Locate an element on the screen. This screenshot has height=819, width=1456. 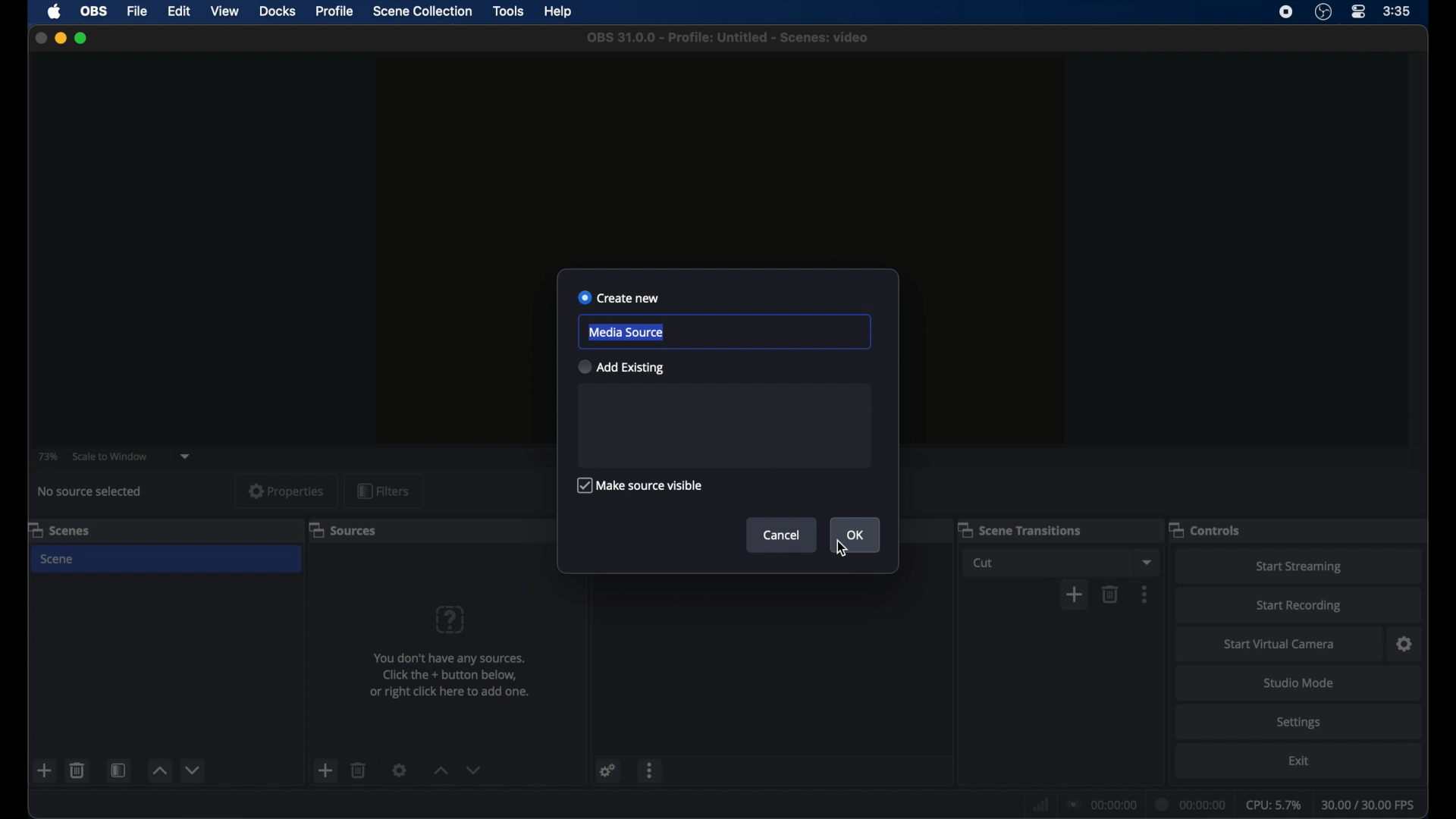
increment is located at coordinates (159, 770).